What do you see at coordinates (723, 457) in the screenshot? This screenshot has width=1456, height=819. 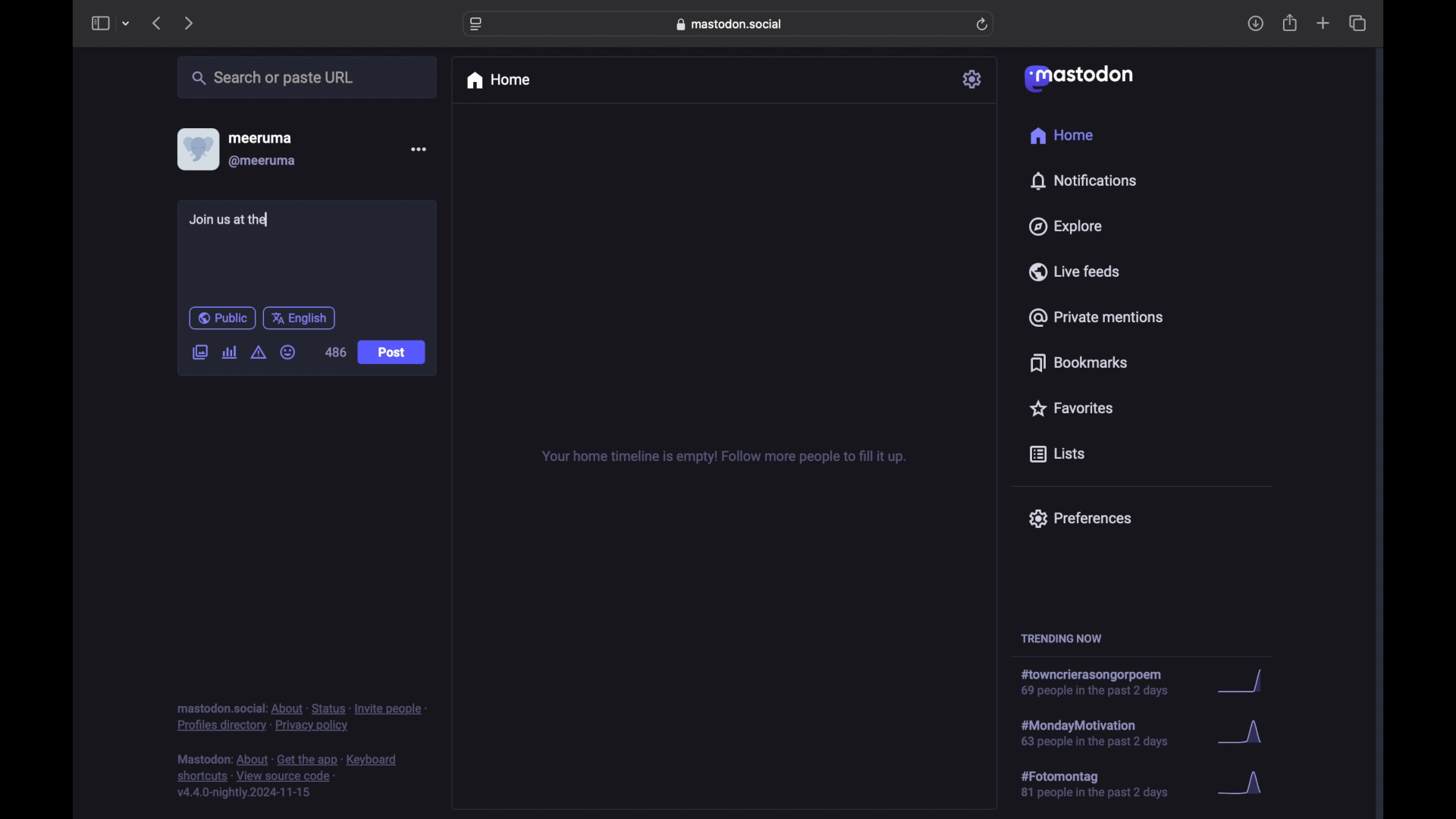 I see `your home timeline is empty! follow more people to fill it up` at bounding box center [723, 457].